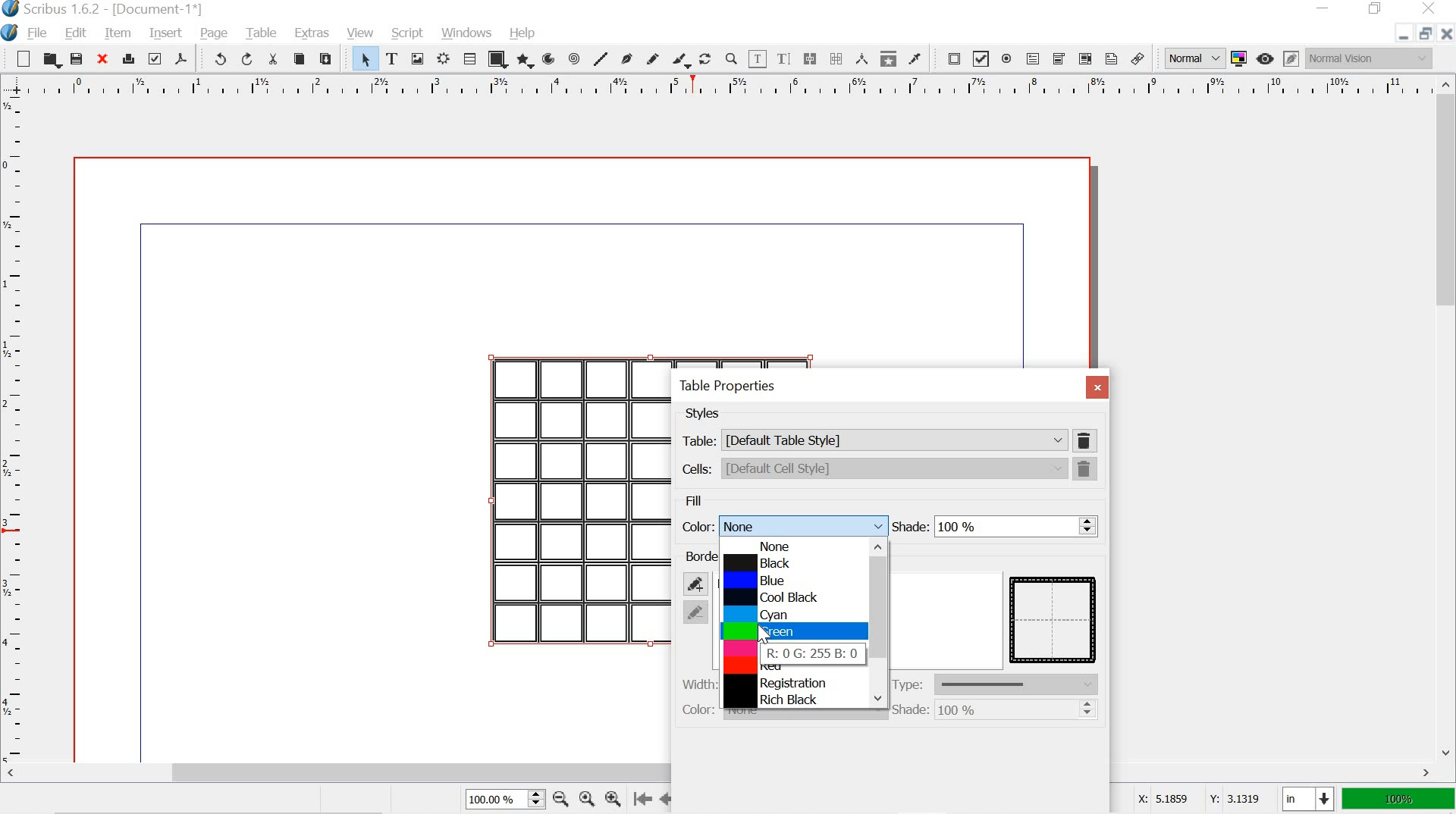 The image size is (1456, 814). I want to click on none, so click(776, 548).